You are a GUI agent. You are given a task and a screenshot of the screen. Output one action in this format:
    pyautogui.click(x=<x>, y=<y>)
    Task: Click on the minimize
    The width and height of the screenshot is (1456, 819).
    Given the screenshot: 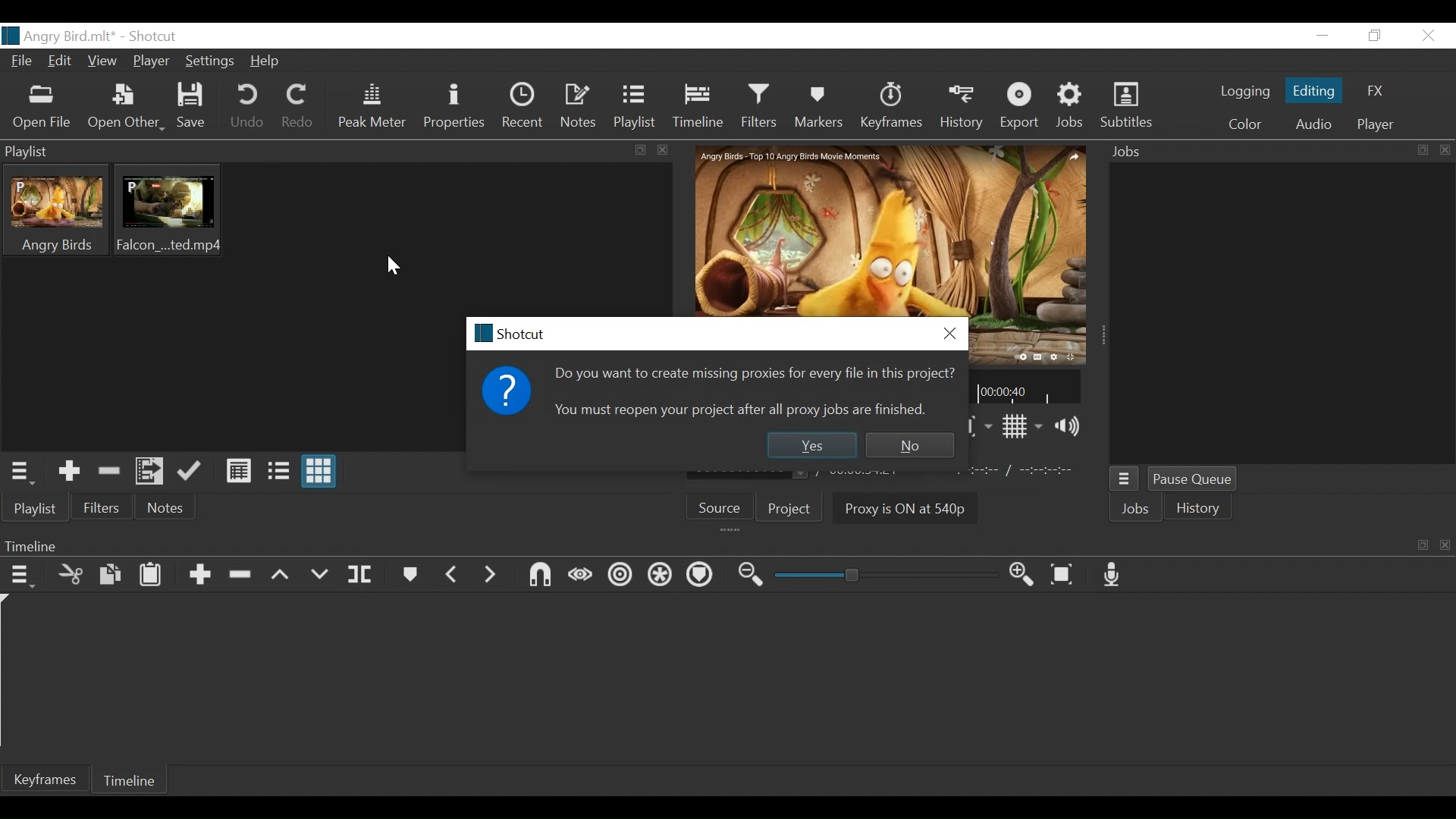 What is the action you would take?
    pyautogui.click(x=1321, y=36)
    